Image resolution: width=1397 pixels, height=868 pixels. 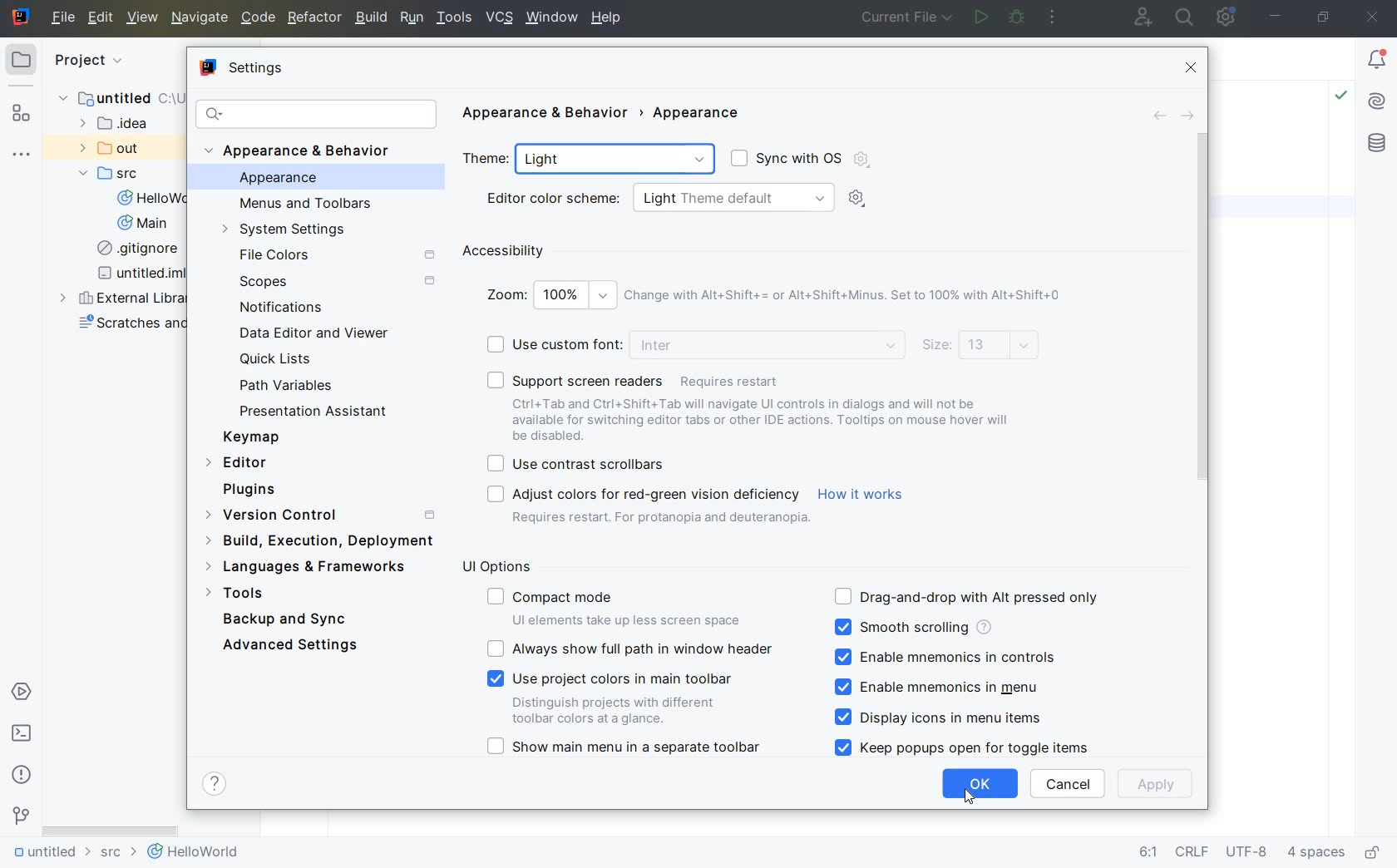 I want to click on SRC, so click(x=117, y=173).